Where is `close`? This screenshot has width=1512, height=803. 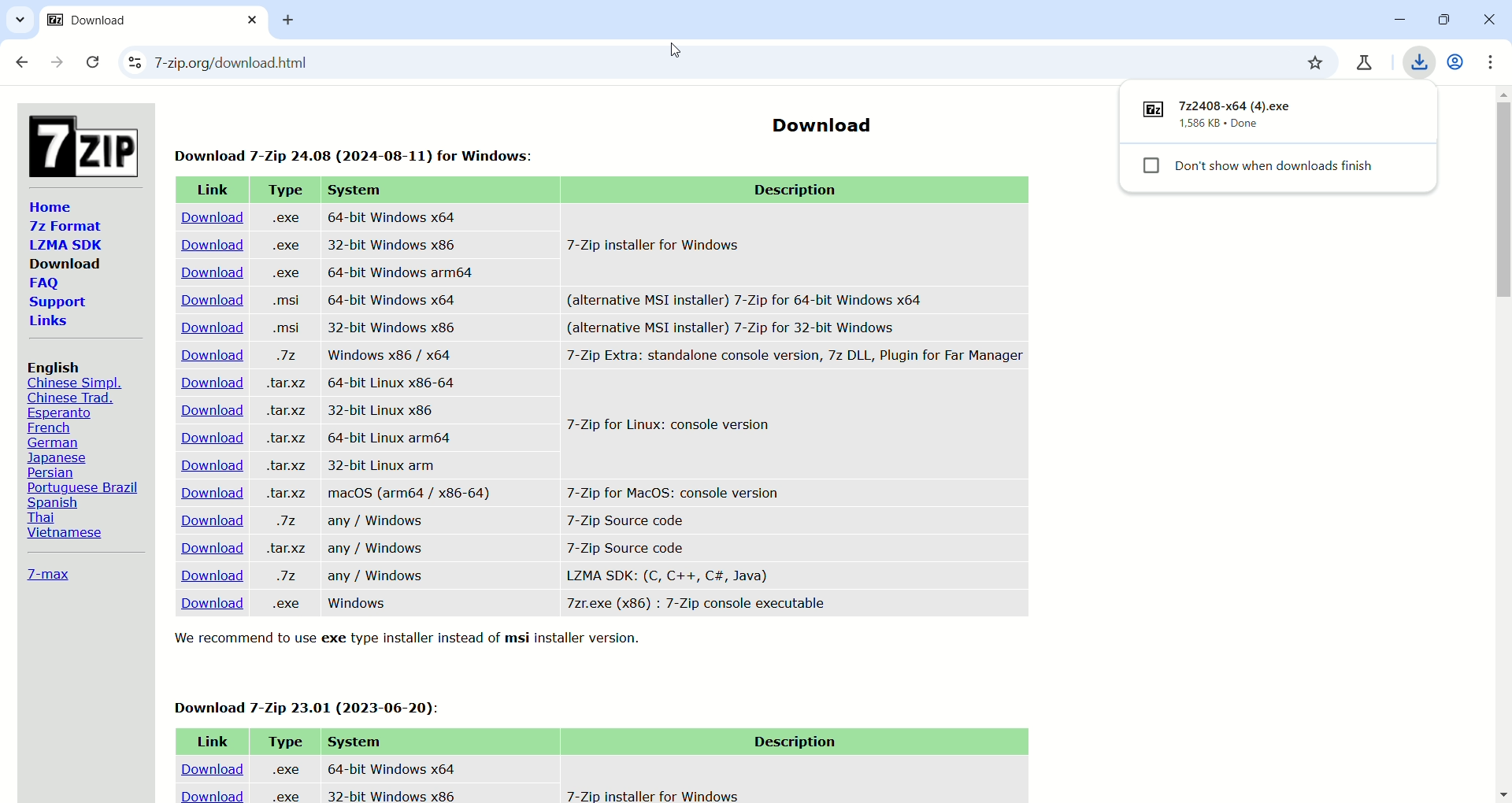
close is located at coordinates (94, 63).